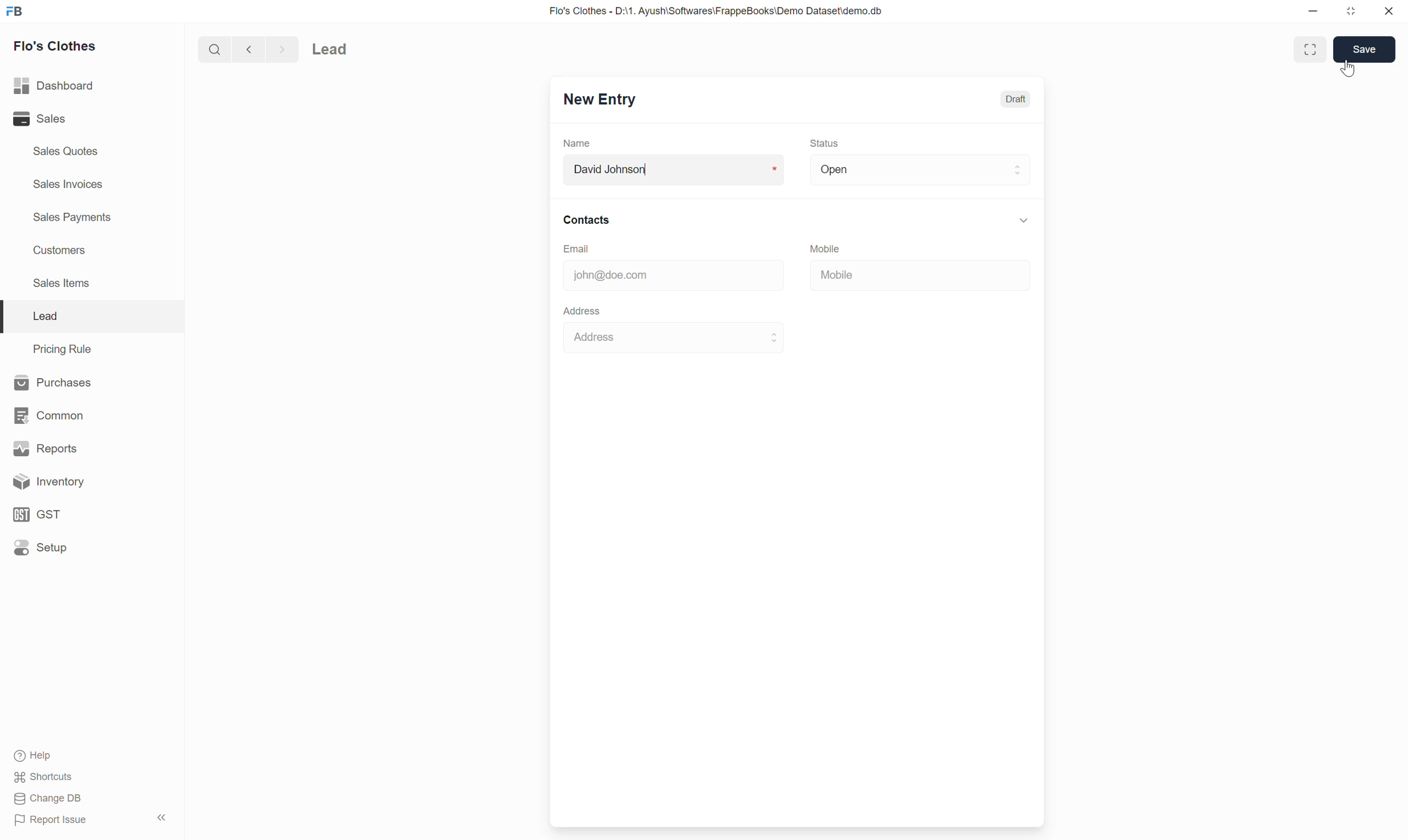 Image resolution: width=1408 pixels, height=840 pixels. What do you see at coordinates (74, 218) in the screenshot?
I see `Sales Payments` at bounding box center [74, 218].